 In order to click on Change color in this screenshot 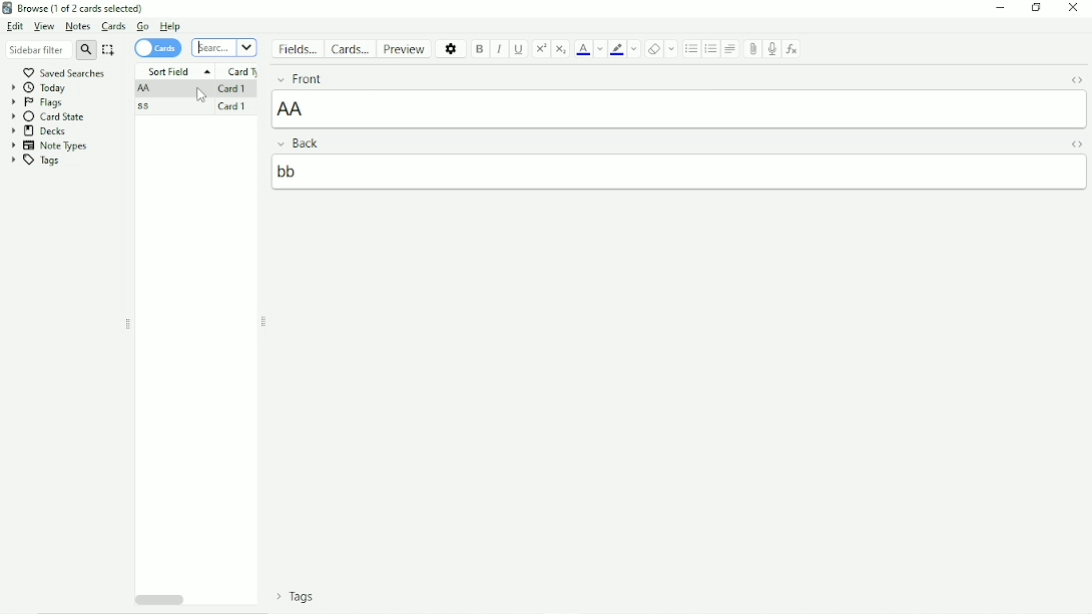, I will do `click(634, 49)`.